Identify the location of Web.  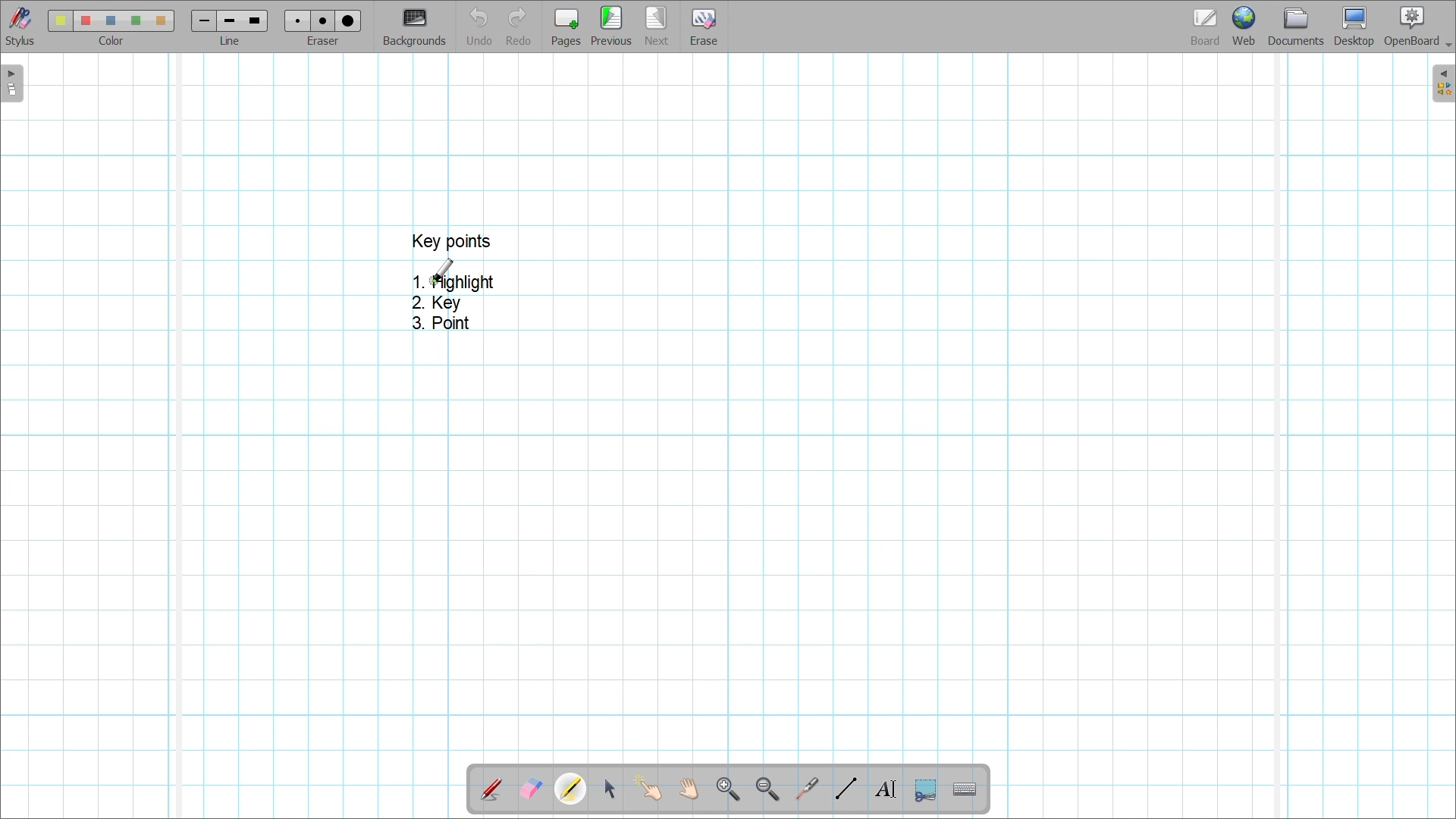
(1244, 26).